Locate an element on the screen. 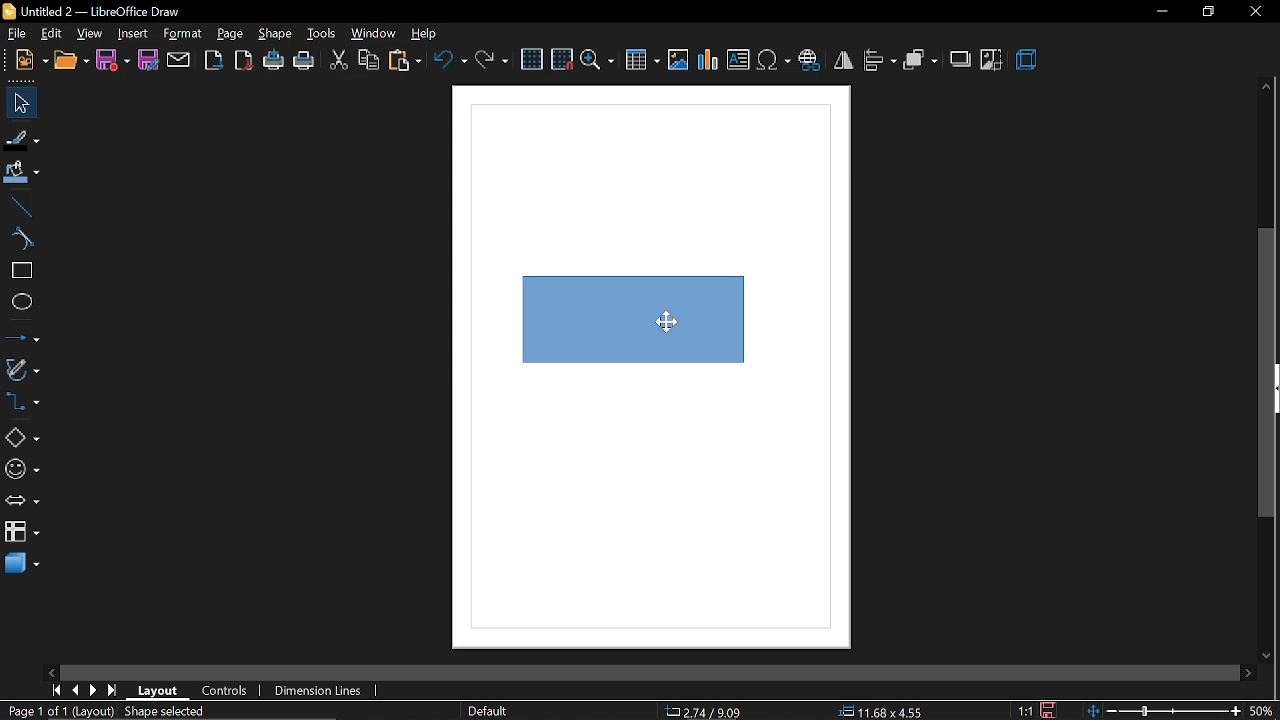 This screenshot has width=1280, height=720. paste is located at coordinates (403, 61).